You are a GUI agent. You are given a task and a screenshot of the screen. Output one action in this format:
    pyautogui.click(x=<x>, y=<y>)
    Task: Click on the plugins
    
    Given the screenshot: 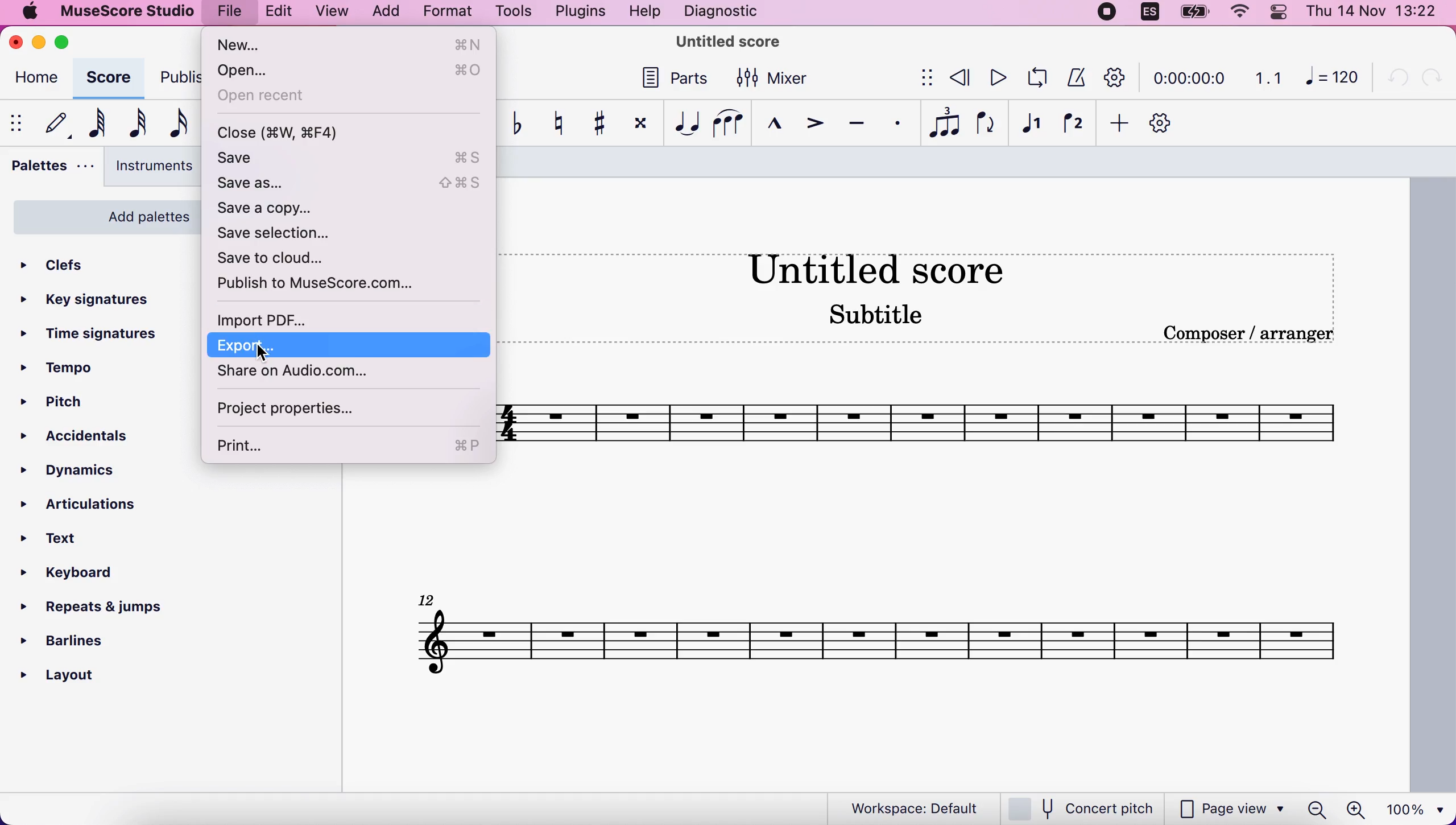 What is the action you would take?
    pyautogui.click(x=575, y=13)
    